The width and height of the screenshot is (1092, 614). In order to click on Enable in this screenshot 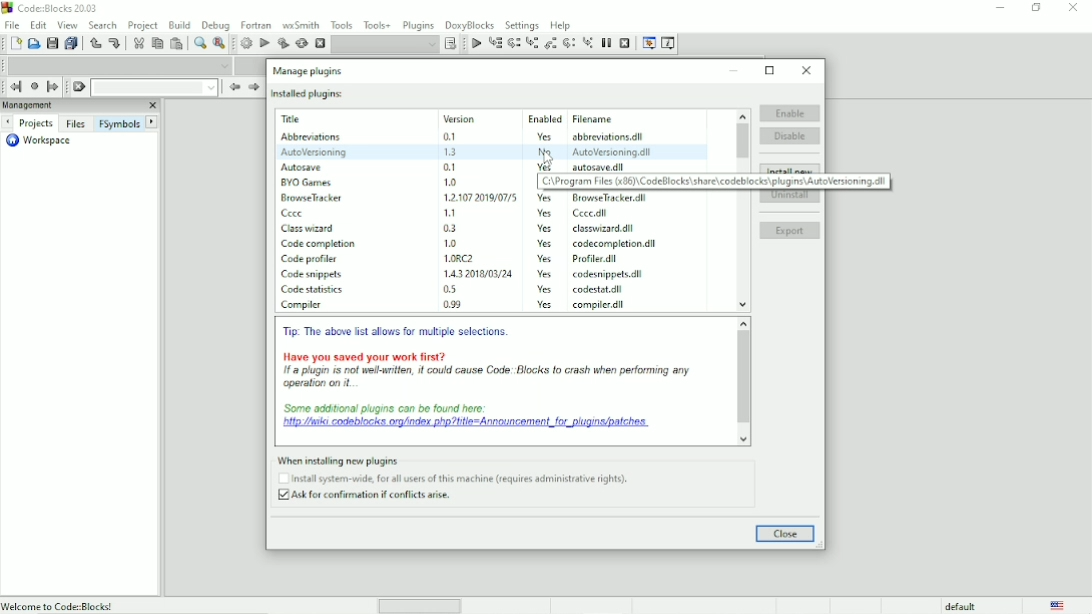, I will do `click(790, 113)`.